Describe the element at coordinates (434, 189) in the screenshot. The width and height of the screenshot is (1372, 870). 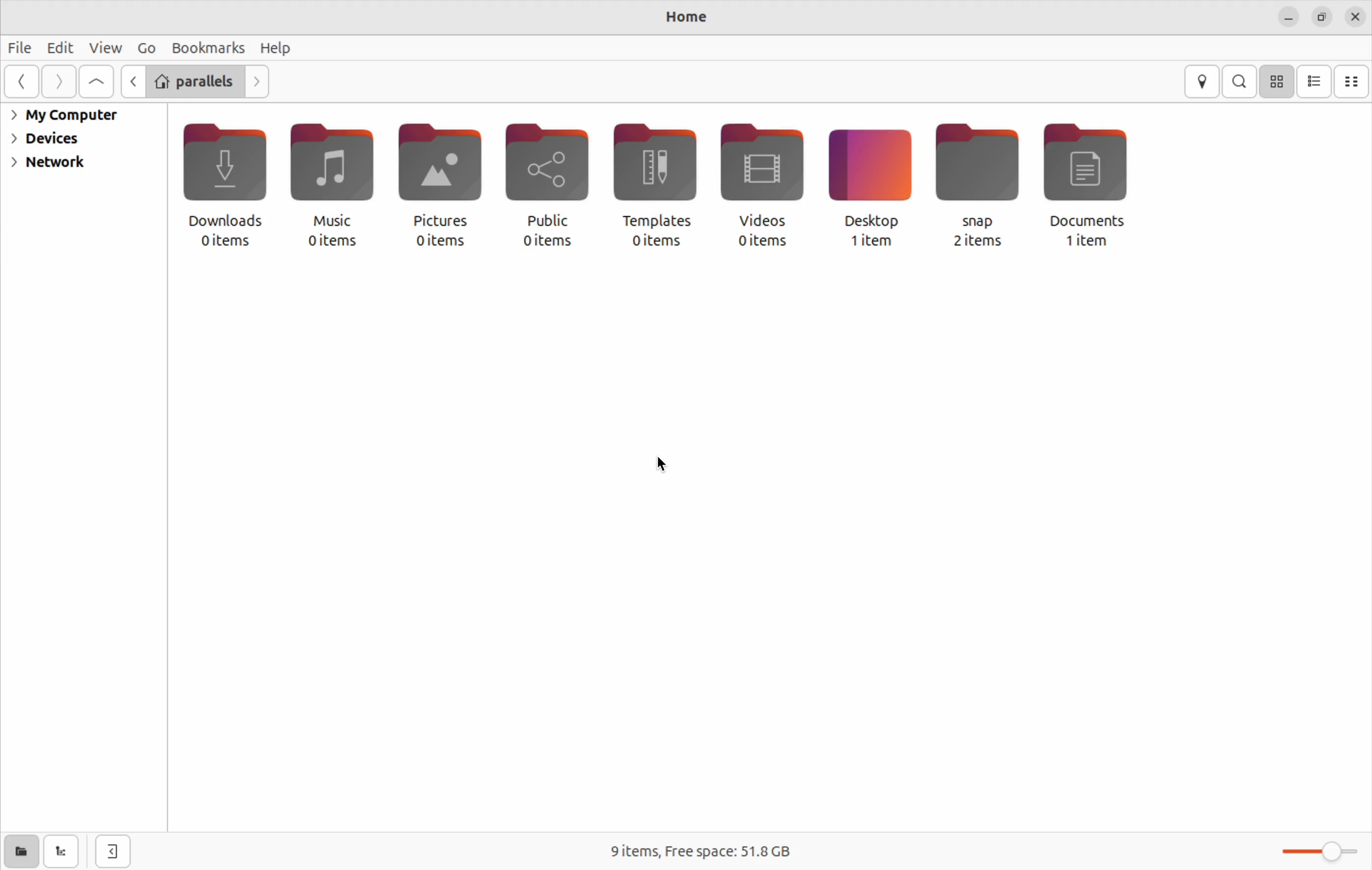
I see `pictures 0 items` at that location.